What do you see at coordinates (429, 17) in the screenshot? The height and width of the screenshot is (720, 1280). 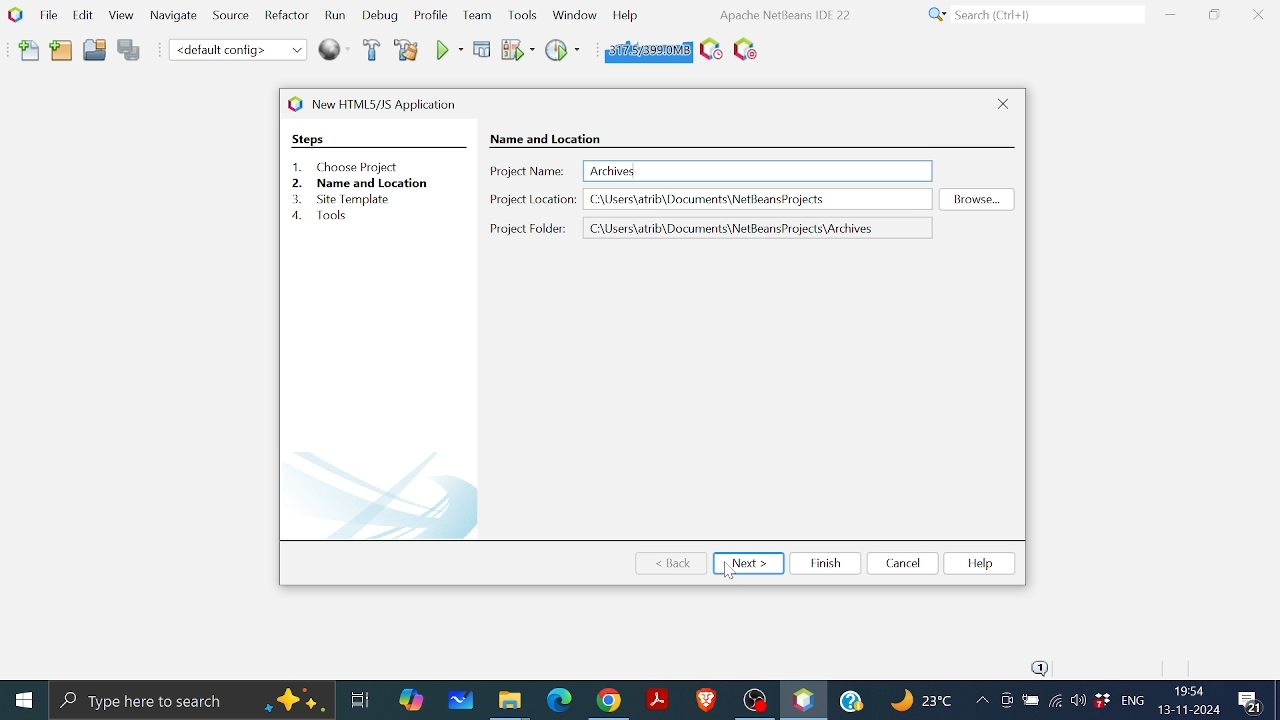 I see `Profile` at bounding box center [429, 17].